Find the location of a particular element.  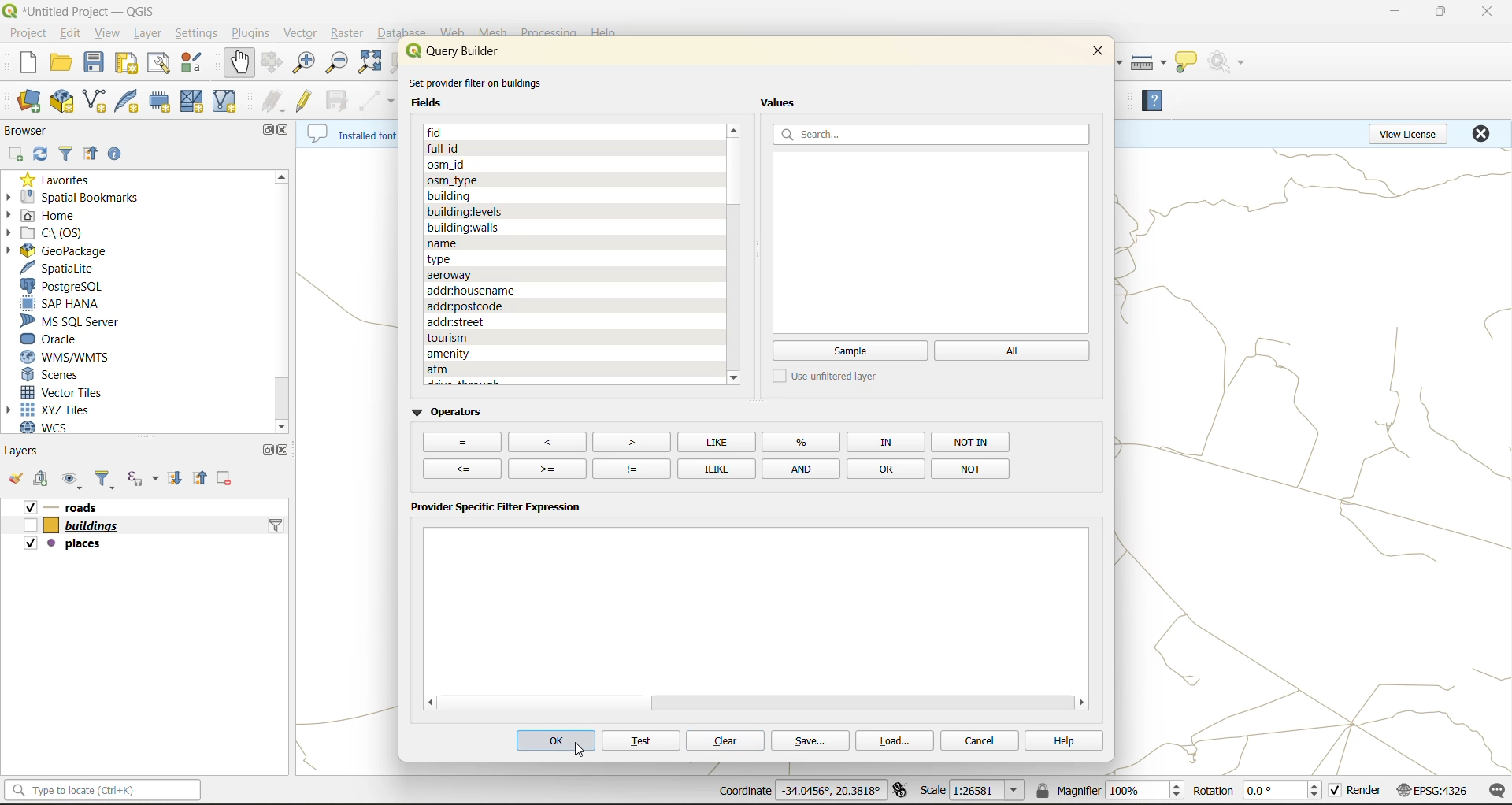

spatial bookmarks is located at coordinates (84, 196).